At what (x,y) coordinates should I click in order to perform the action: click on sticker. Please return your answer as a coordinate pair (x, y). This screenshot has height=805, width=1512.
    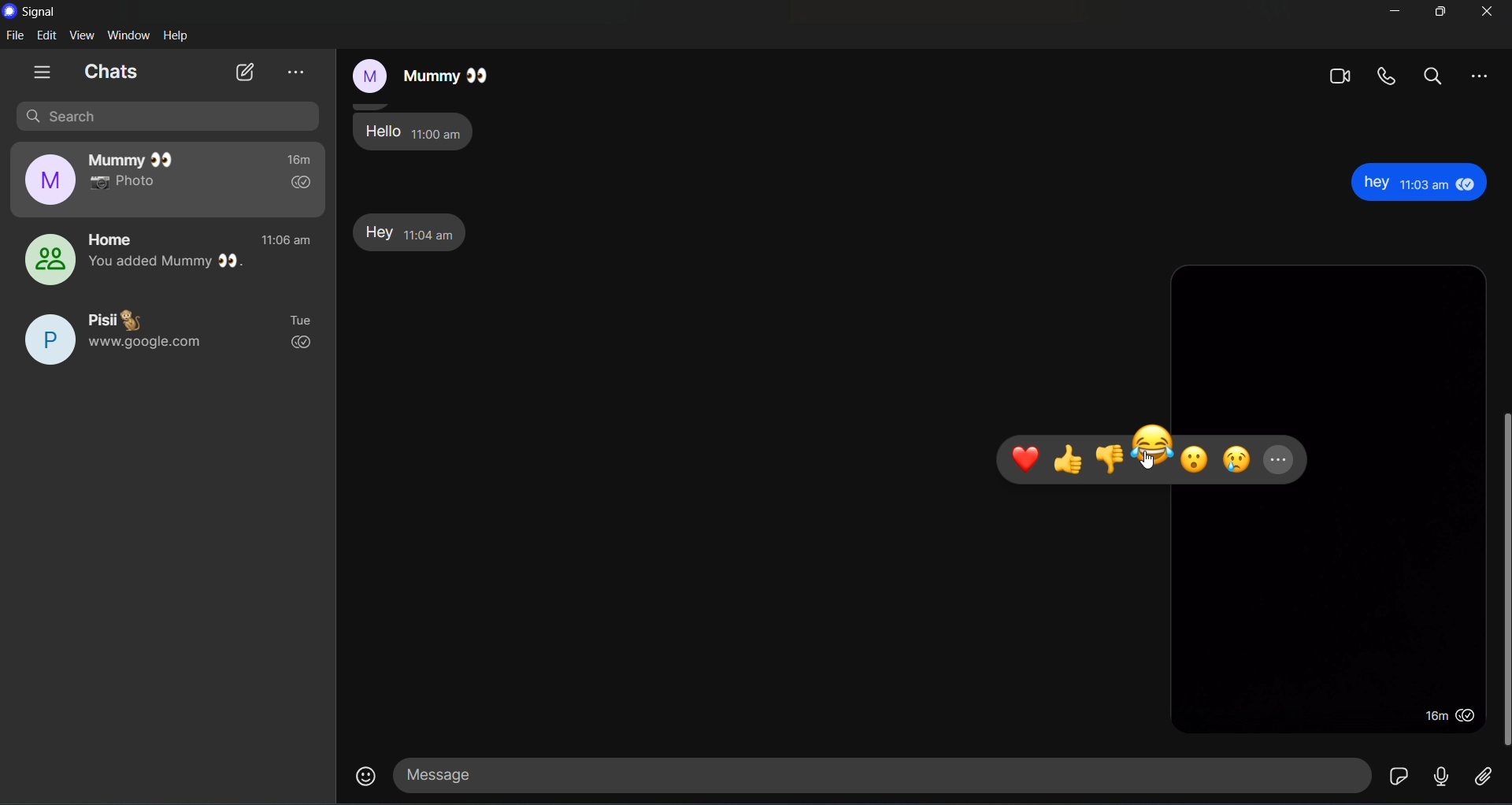
    Looking at the image, I should click on (1399, 777).